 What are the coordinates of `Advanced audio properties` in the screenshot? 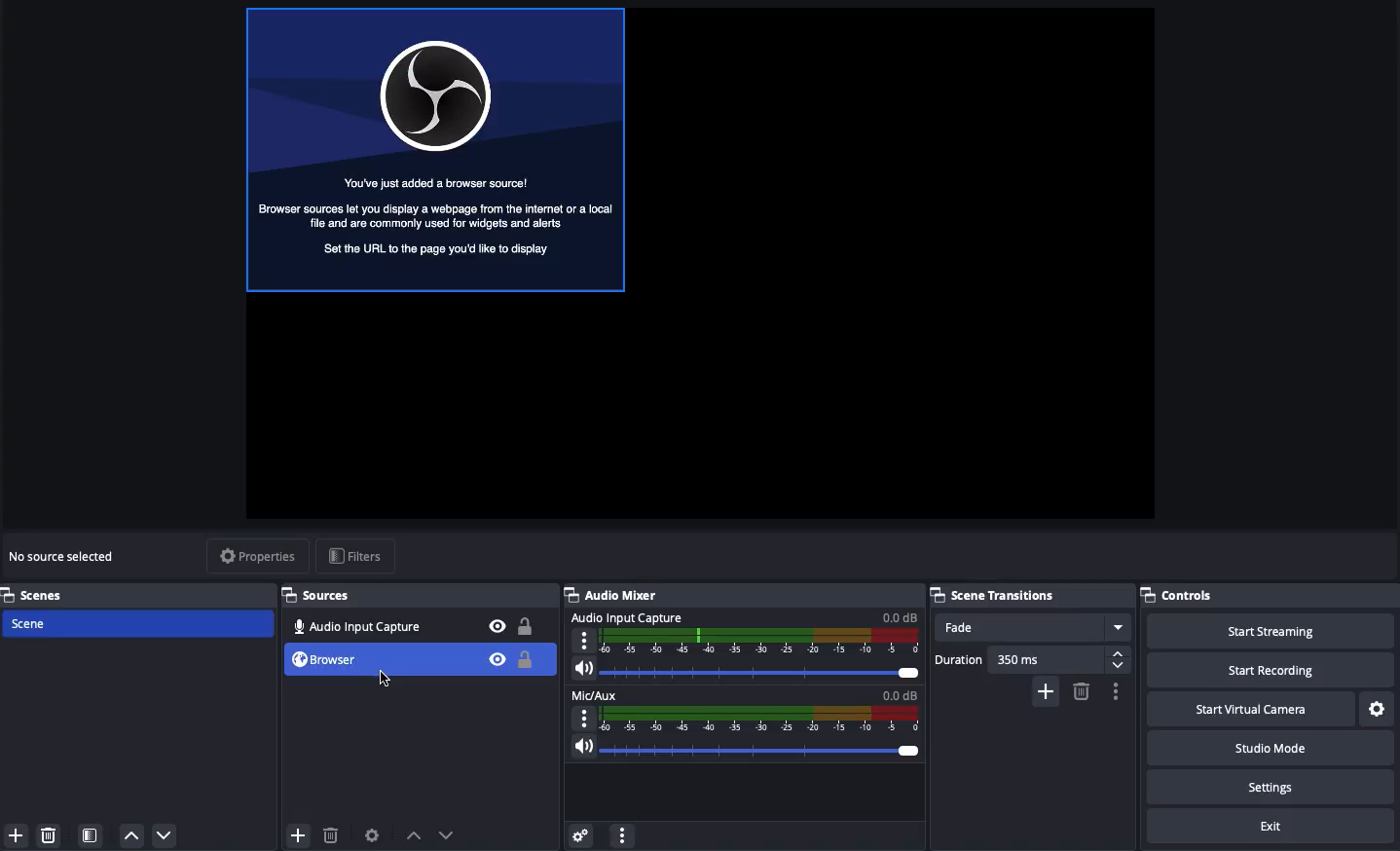 It's located at (583, 836).